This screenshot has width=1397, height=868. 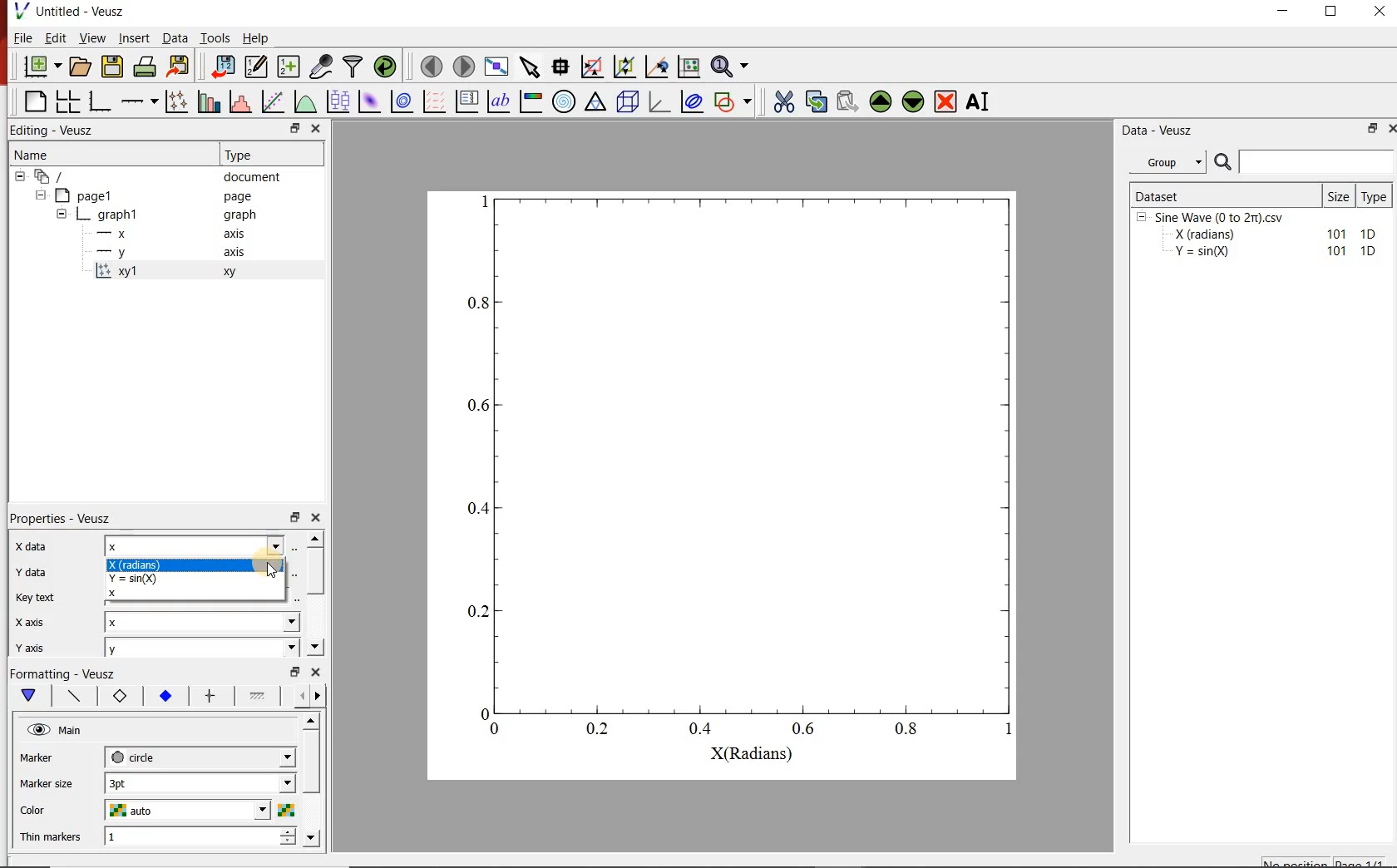 What do you see at coordinates (313, 837) in the screenshot?
I see `Down` at bounding box center [313, 837].